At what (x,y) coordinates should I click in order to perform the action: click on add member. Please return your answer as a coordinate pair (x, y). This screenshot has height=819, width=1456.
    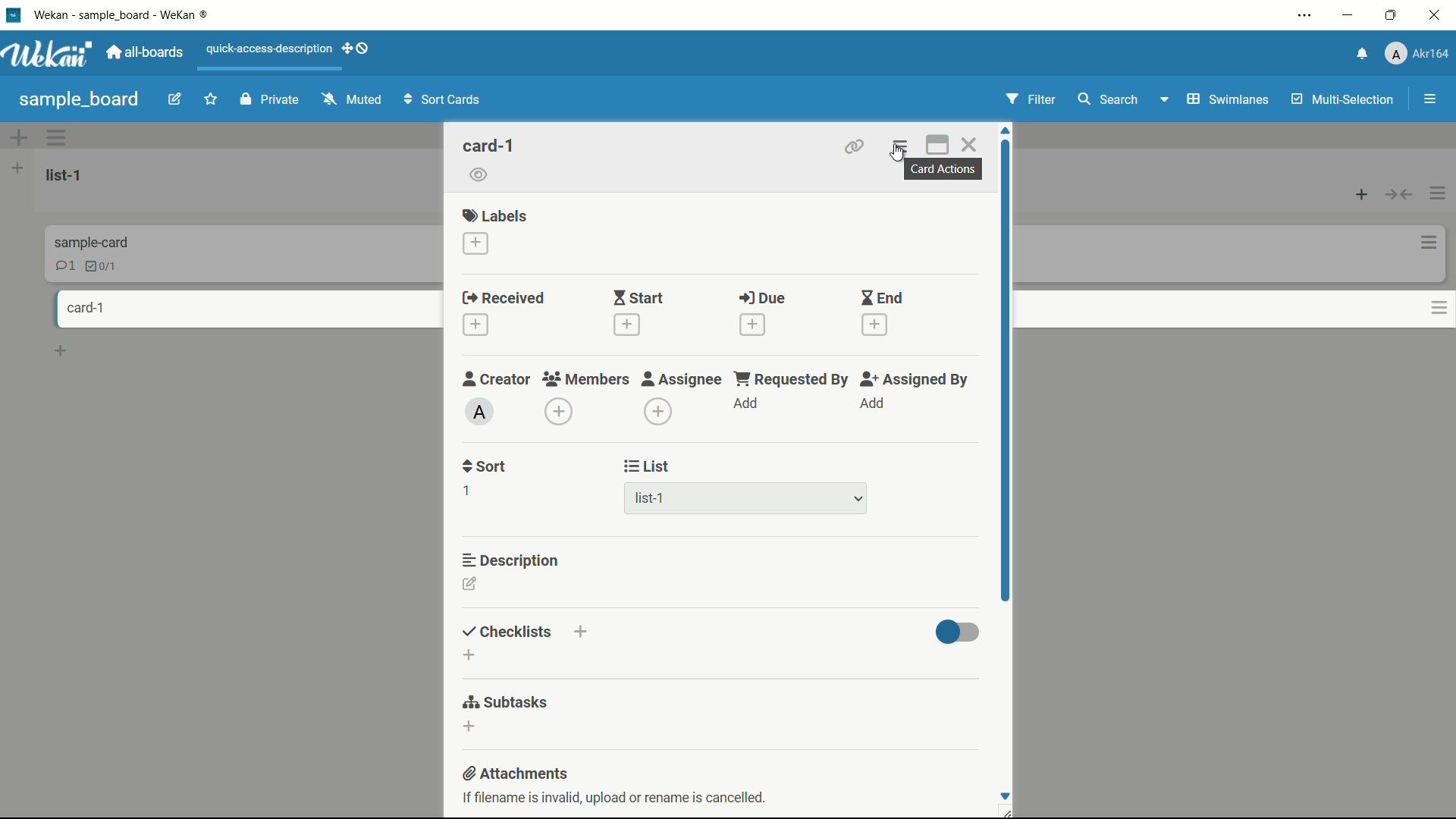
    Looking at the image, I should click on (561, 411).